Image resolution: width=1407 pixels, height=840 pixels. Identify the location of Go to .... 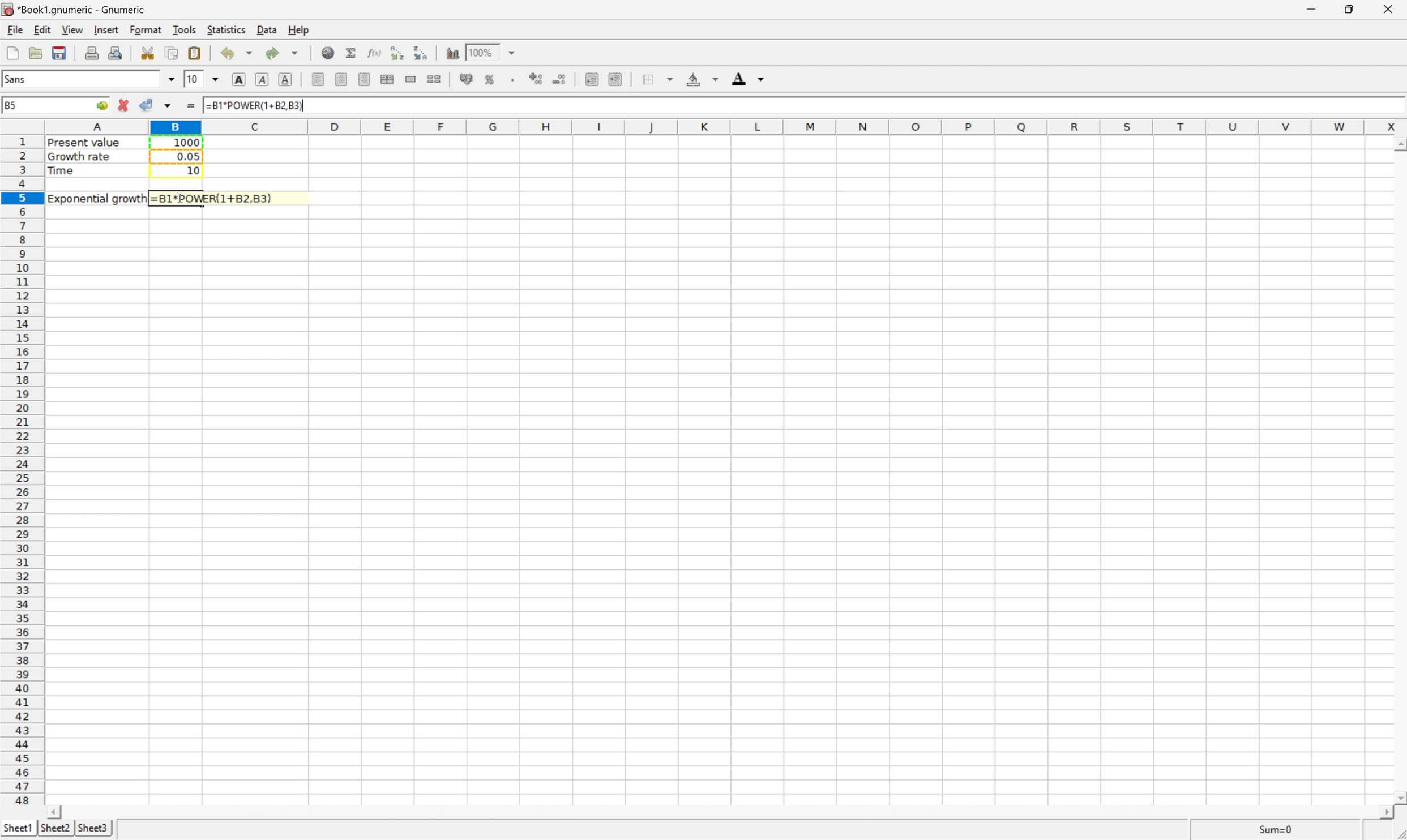
(101, 105).